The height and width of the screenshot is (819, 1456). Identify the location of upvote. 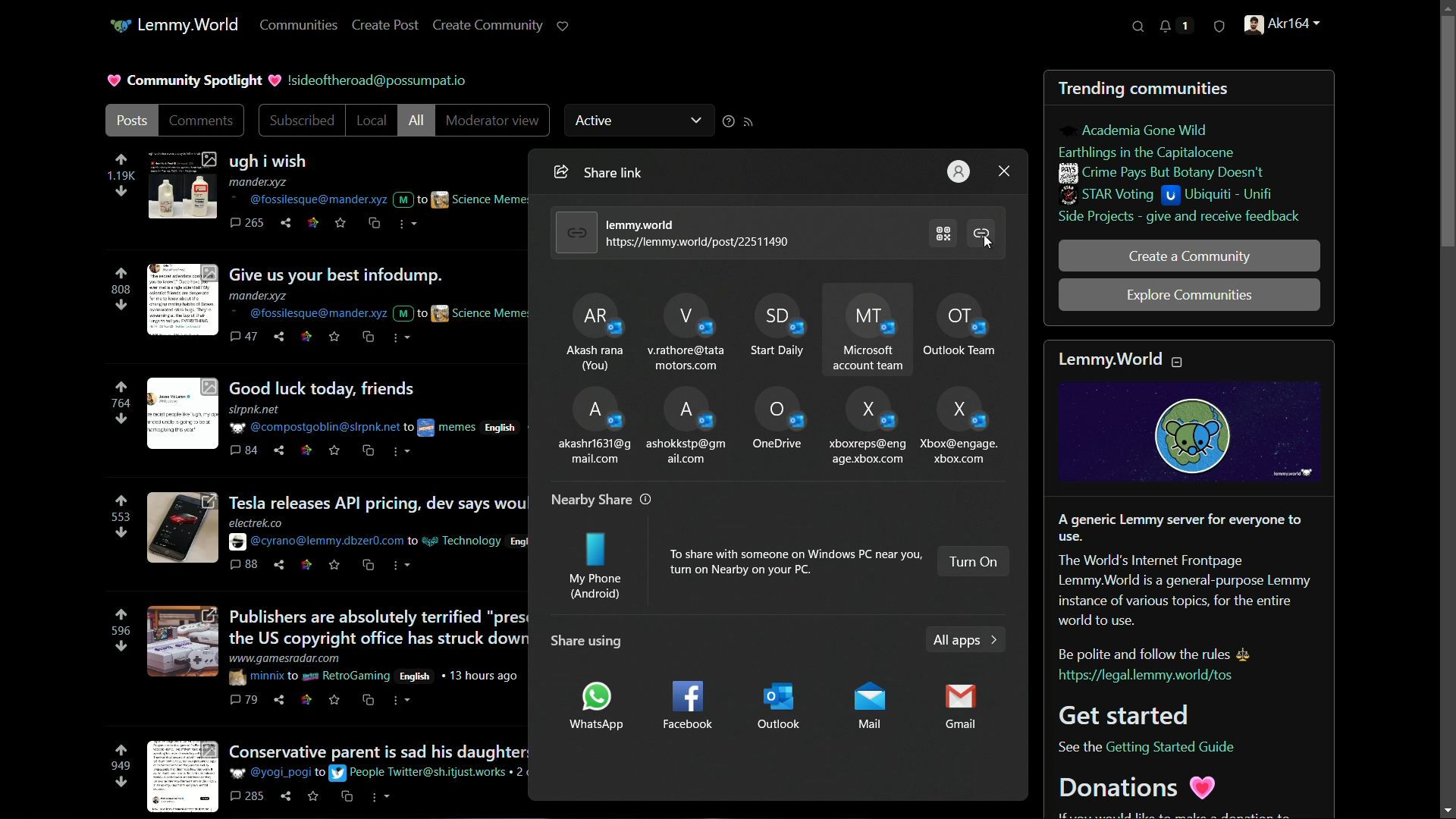
(121, 752).